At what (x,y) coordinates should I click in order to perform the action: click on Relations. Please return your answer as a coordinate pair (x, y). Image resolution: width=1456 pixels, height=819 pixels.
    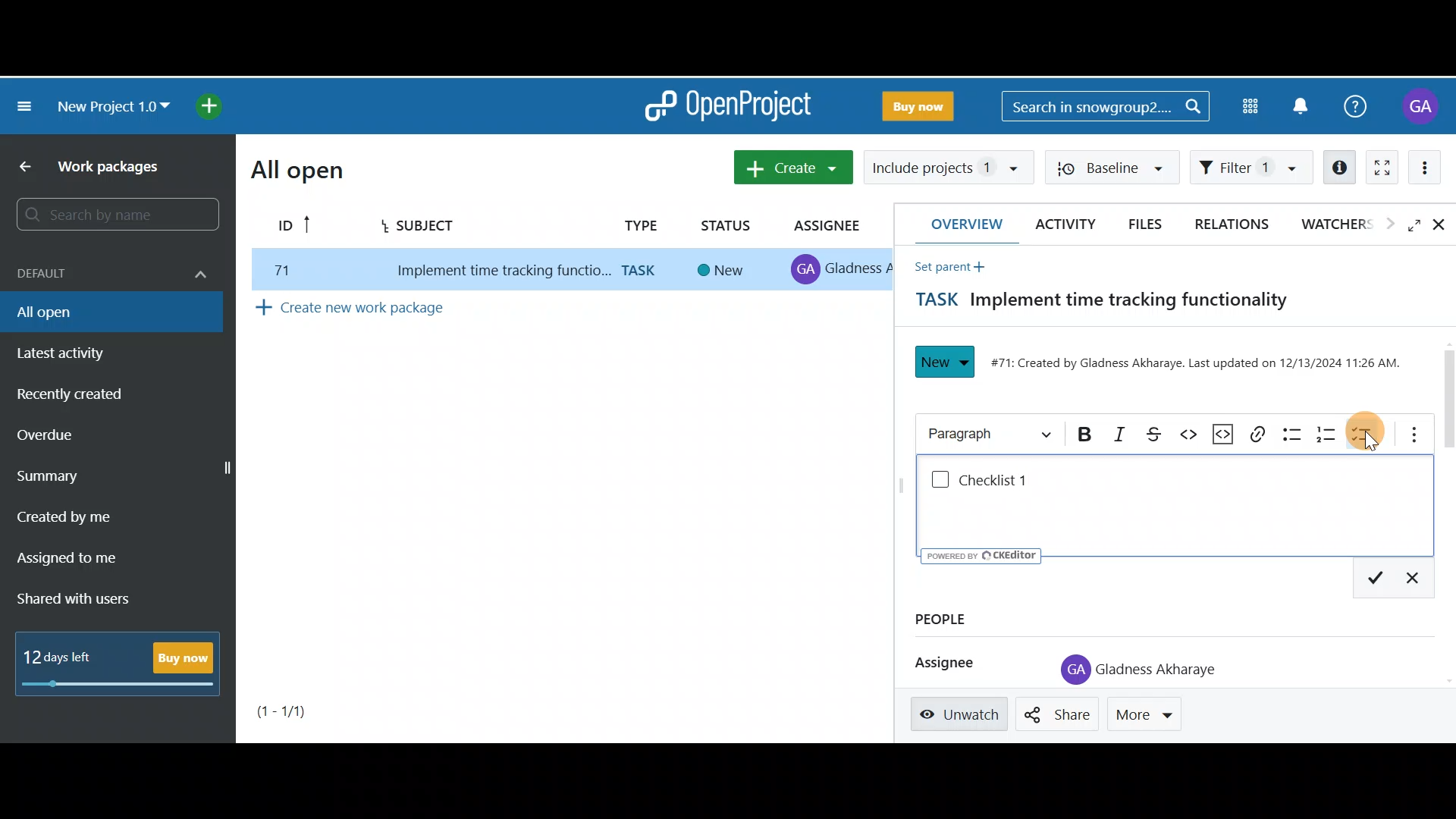
    Looking at the image, I should click on (1233, 223).